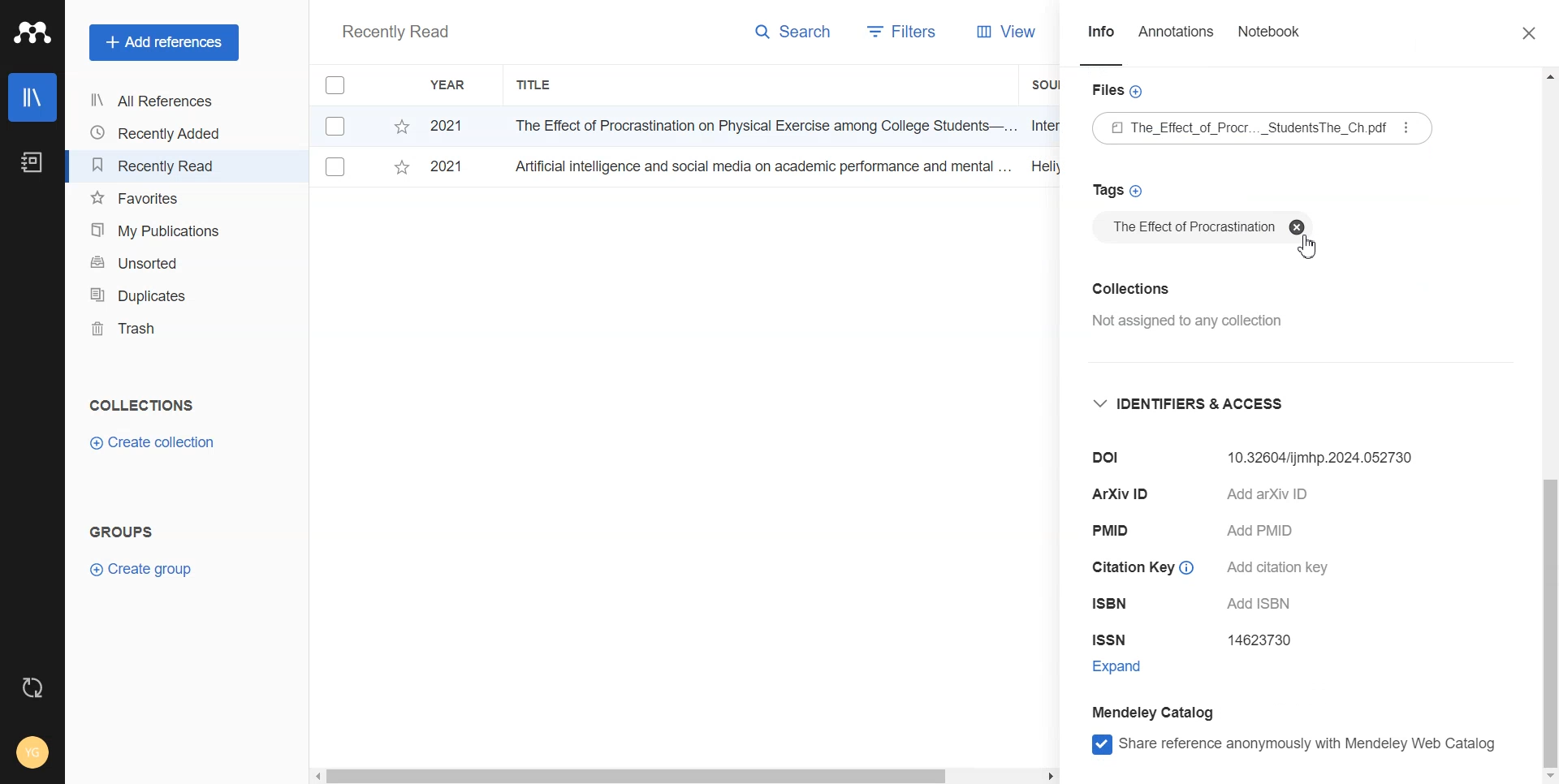 The image size is (1559, 784). What do you see at coordinates (1194, 606) in the screenshot?
I see `ISBN Add ISBN` at bounding box center [1194, 606].